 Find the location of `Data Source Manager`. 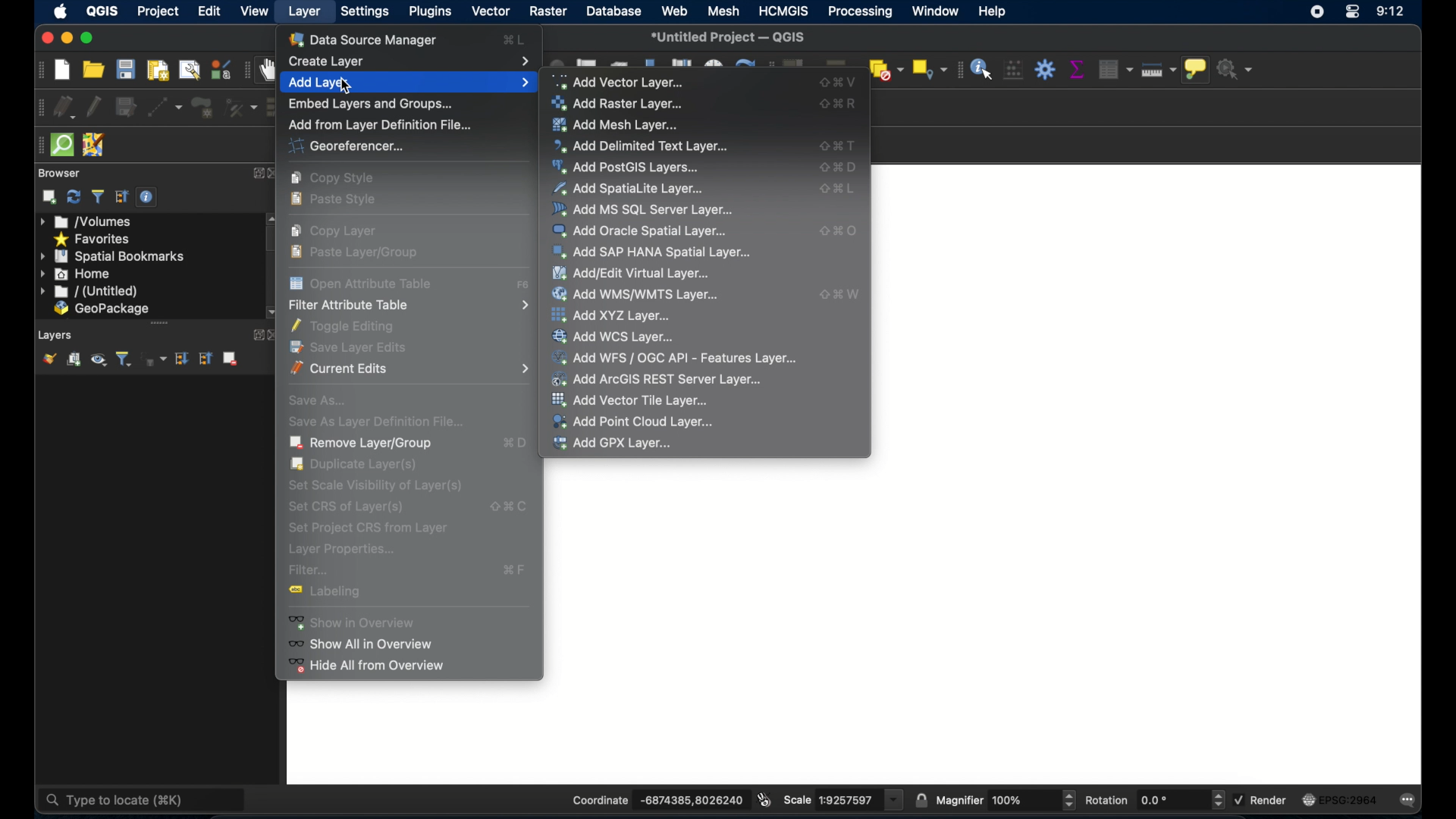

Data Source Manager is located at coordinates (406, 40).